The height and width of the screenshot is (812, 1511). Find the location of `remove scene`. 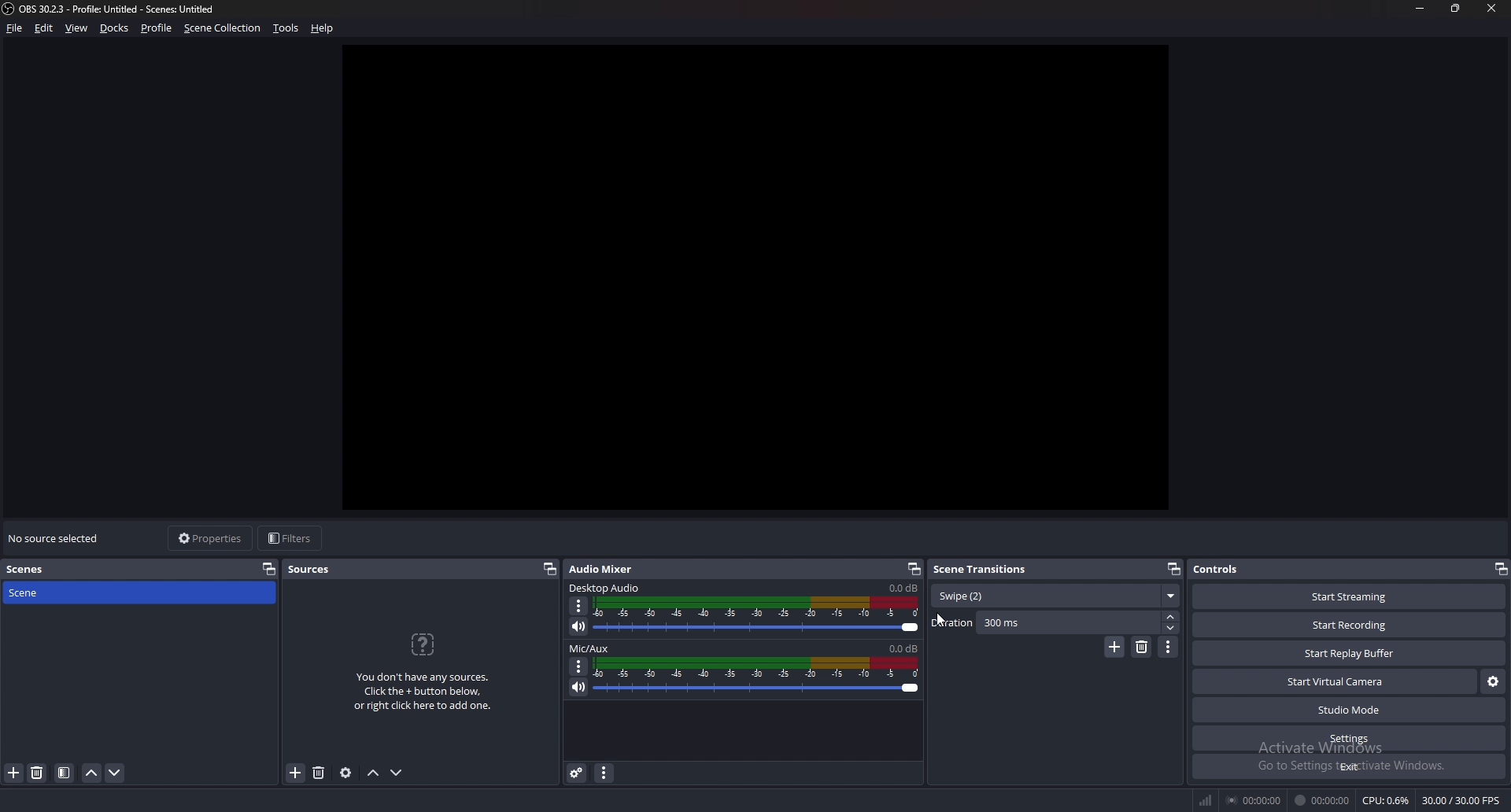

remove scene is located at coordinates (39, 772).